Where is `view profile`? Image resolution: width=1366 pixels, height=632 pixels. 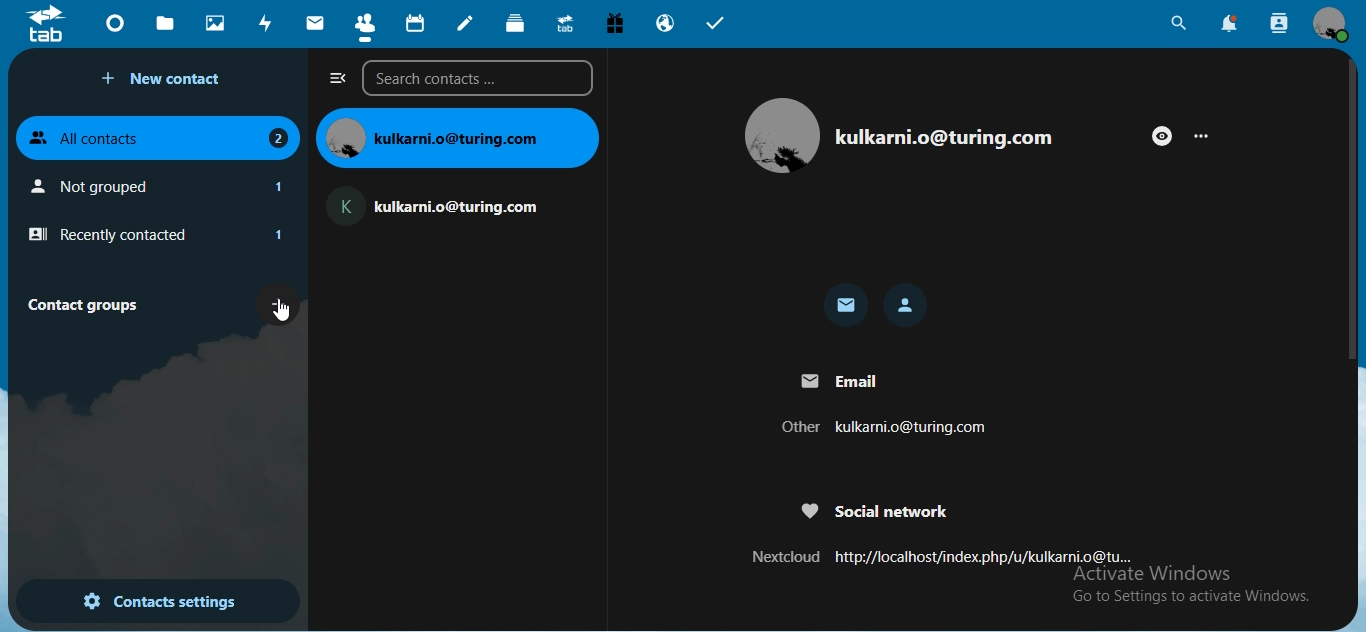
view profile is located at coordinates (1331, 23).